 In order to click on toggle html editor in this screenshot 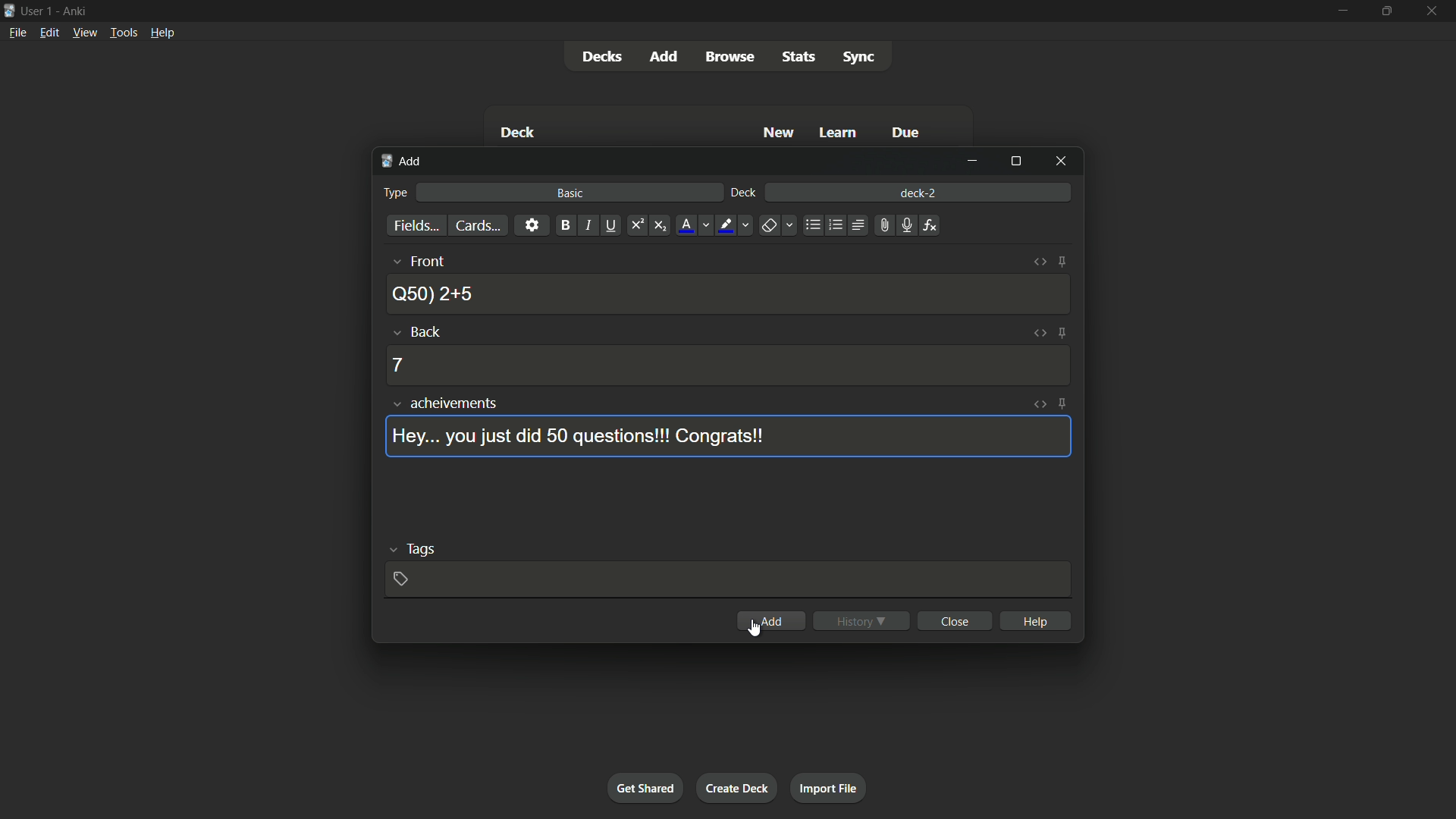, I will do `click(1038, 262)`.